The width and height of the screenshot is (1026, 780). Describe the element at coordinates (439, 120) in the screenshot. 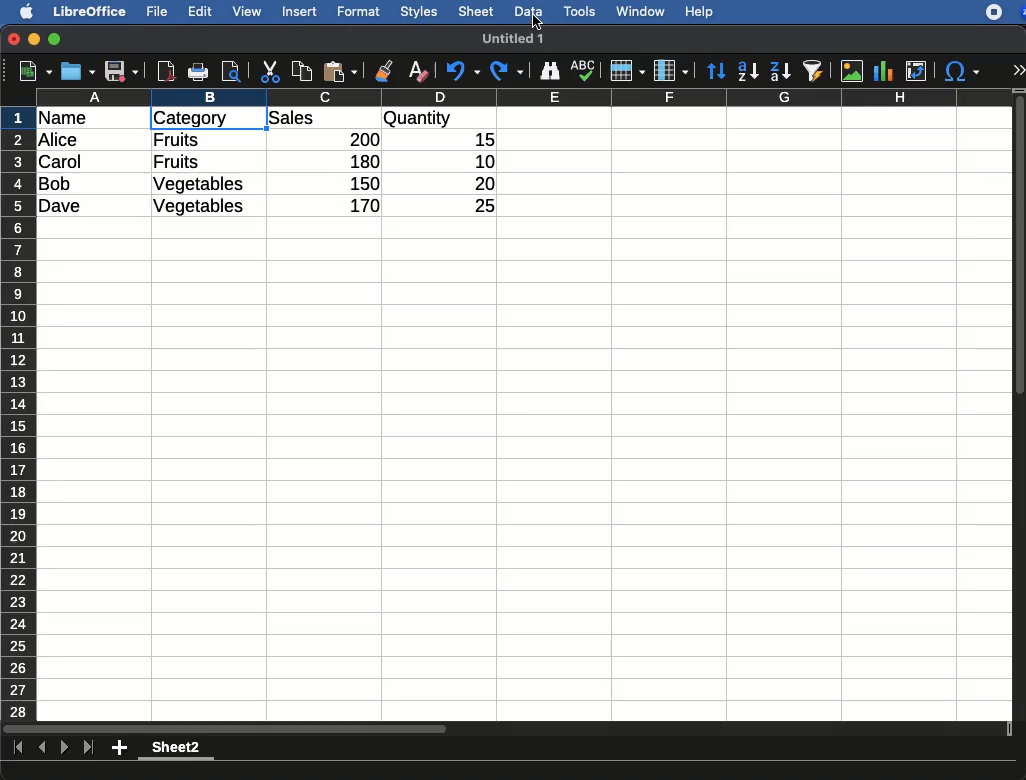

I see `quantity` at that location.